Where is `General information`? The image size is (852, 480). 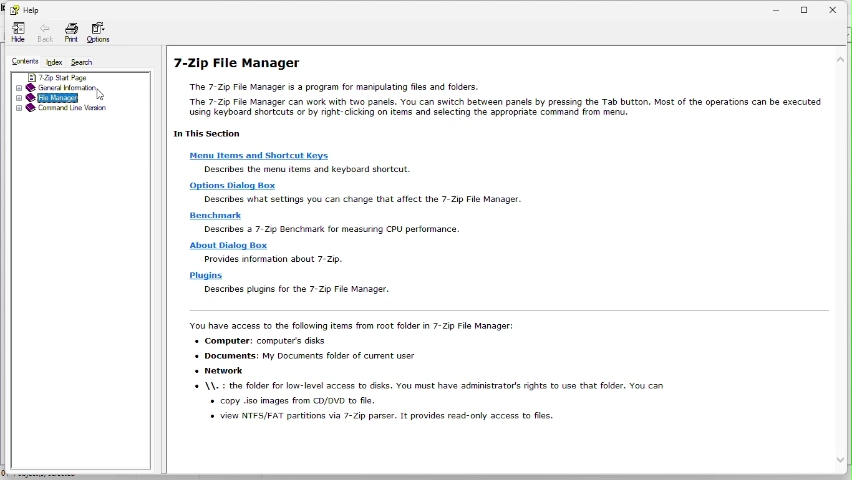 General information is located at coordinates (62, 86).